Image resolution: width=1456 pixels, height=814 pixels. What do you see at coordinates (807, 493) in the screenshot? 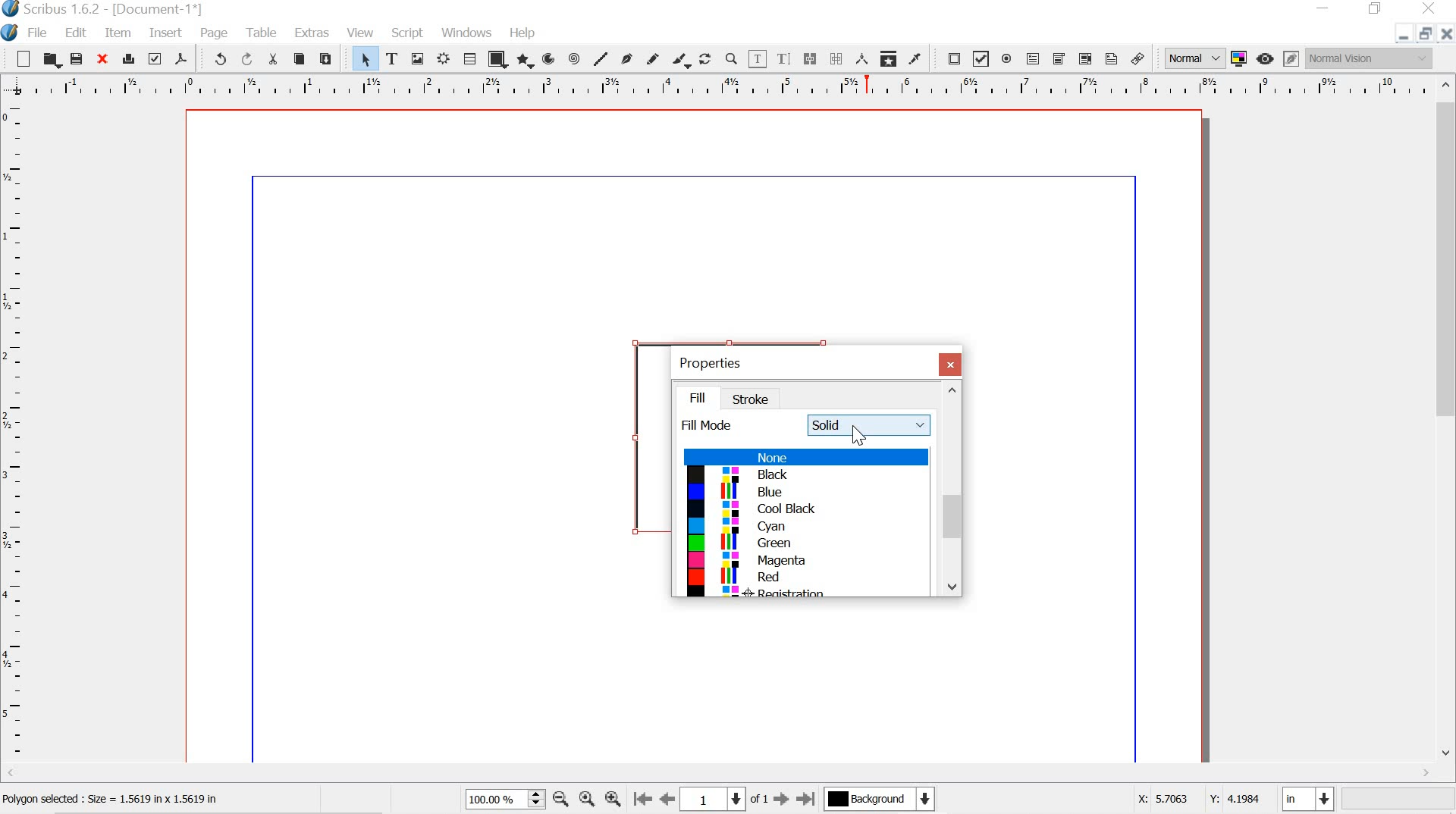
I see `blue` at bounding box center [807, 493].